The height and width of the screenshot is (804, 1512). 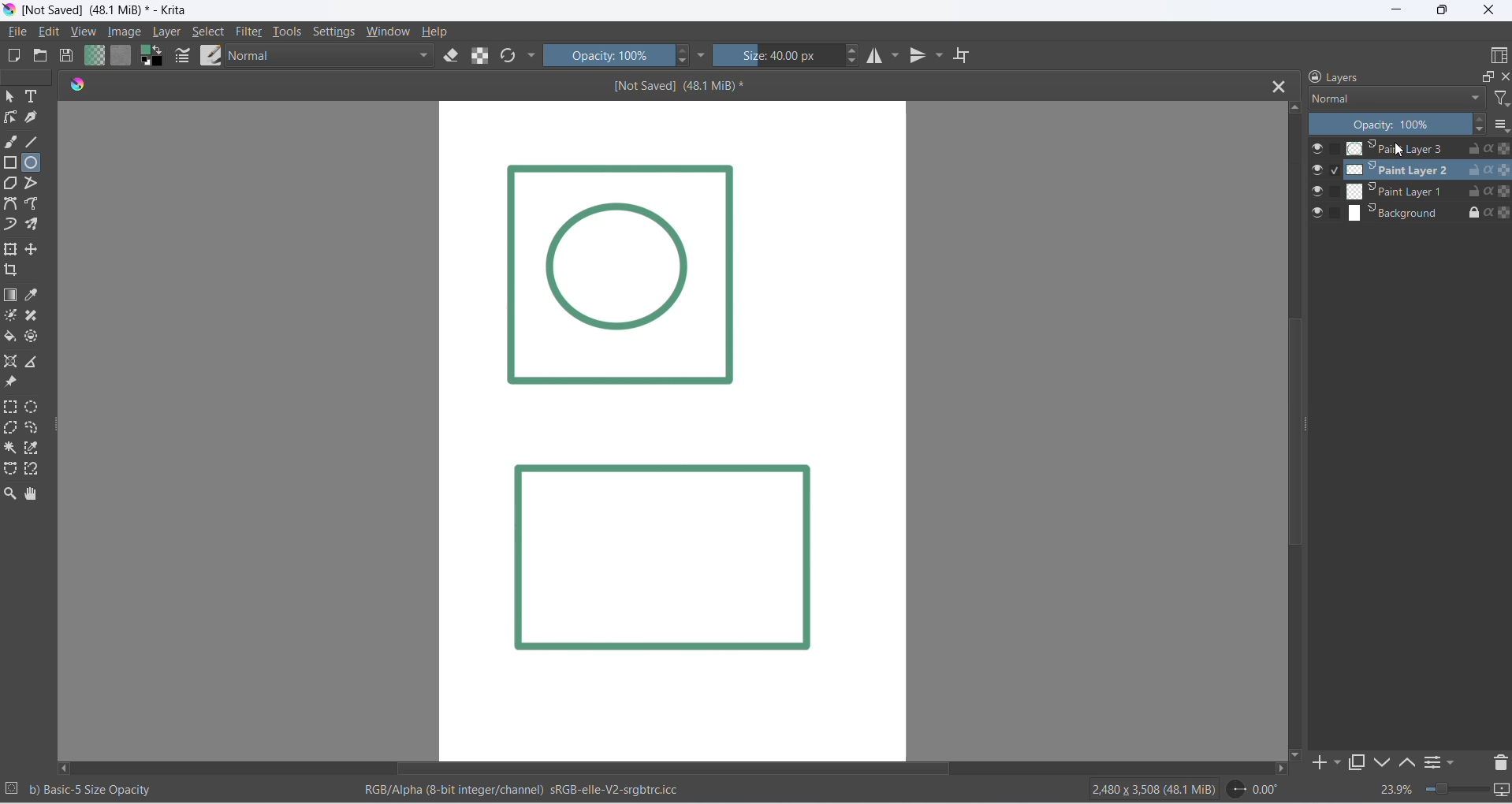 What do you see at coordinates (10, 493) in the screenshot?
I see `zoom tool` at bounding box center [10, 493].